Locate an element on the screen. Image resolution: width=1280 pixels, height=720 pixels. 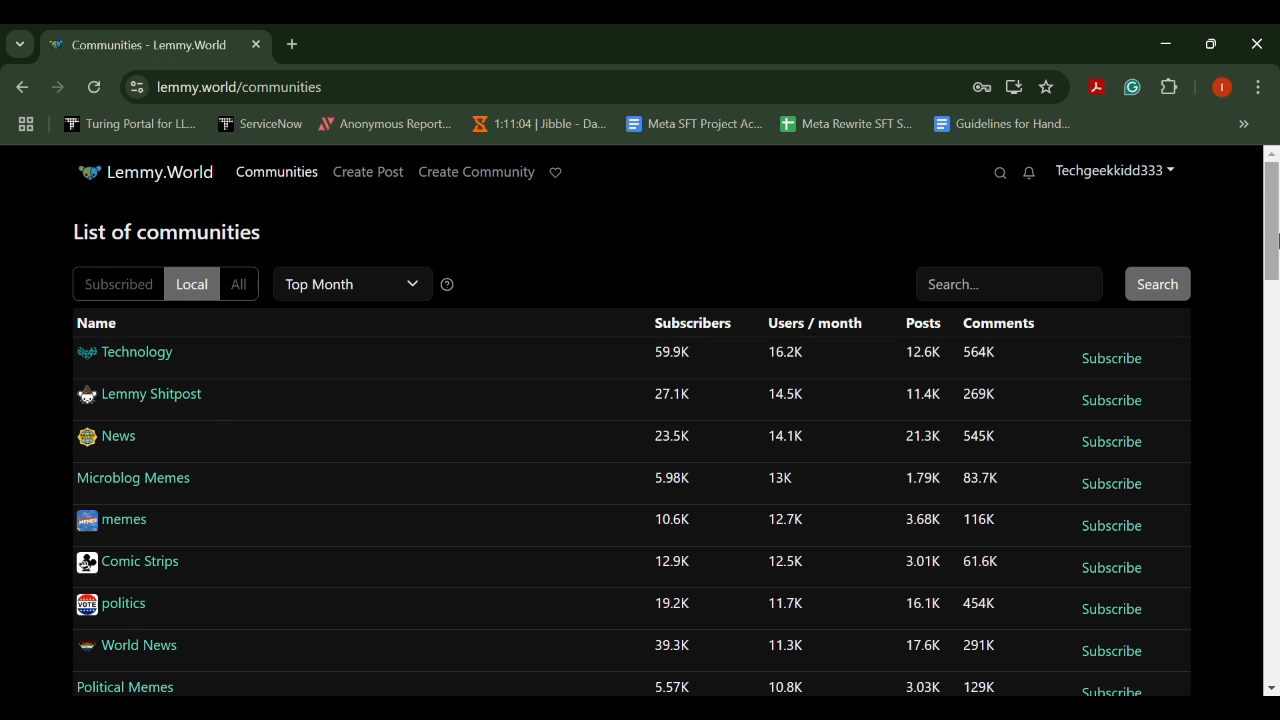
129K is located at coordinates (978, 687).